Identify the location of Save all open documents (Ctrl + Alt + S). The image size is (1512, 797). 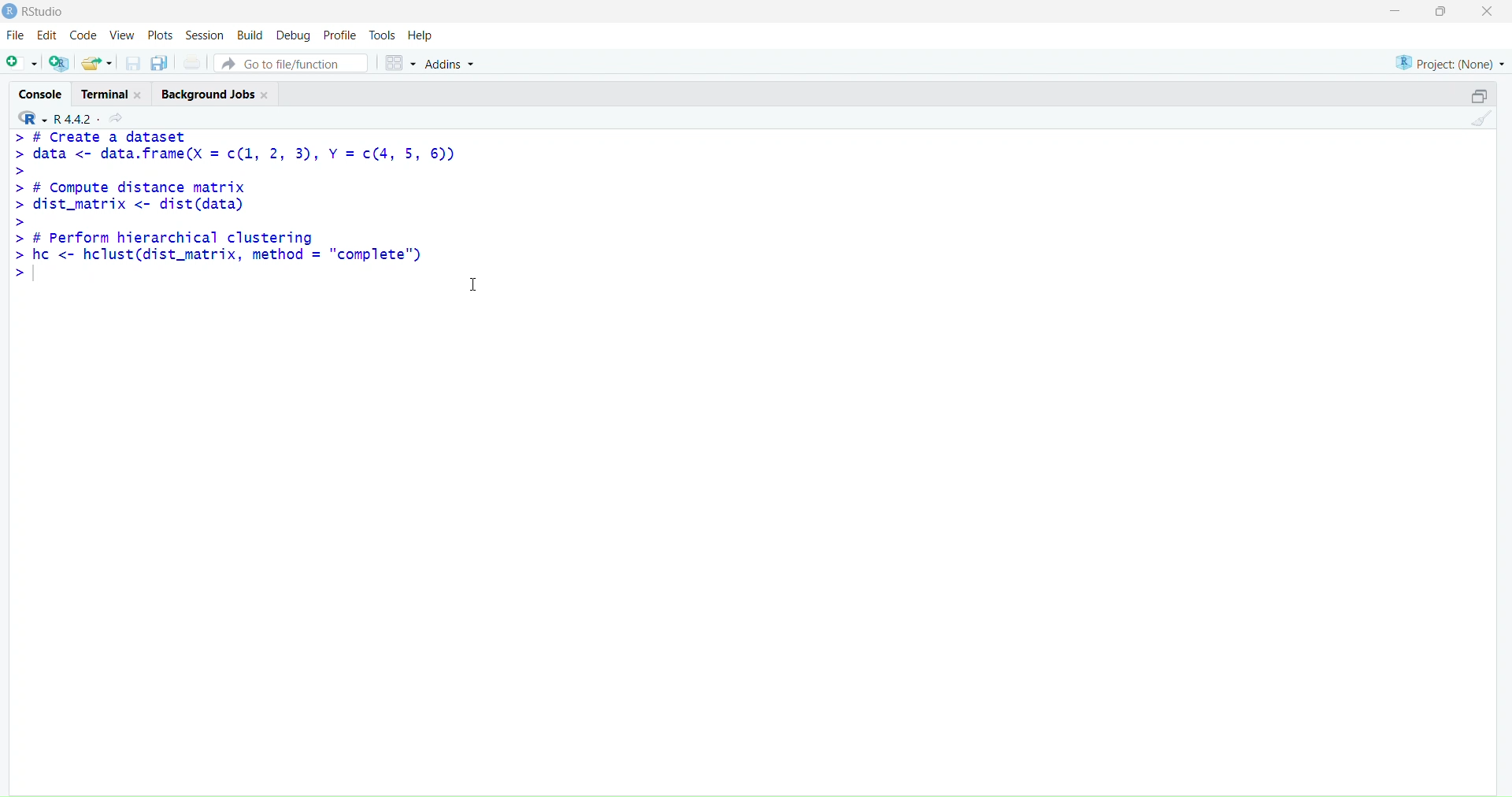
(161, 61).